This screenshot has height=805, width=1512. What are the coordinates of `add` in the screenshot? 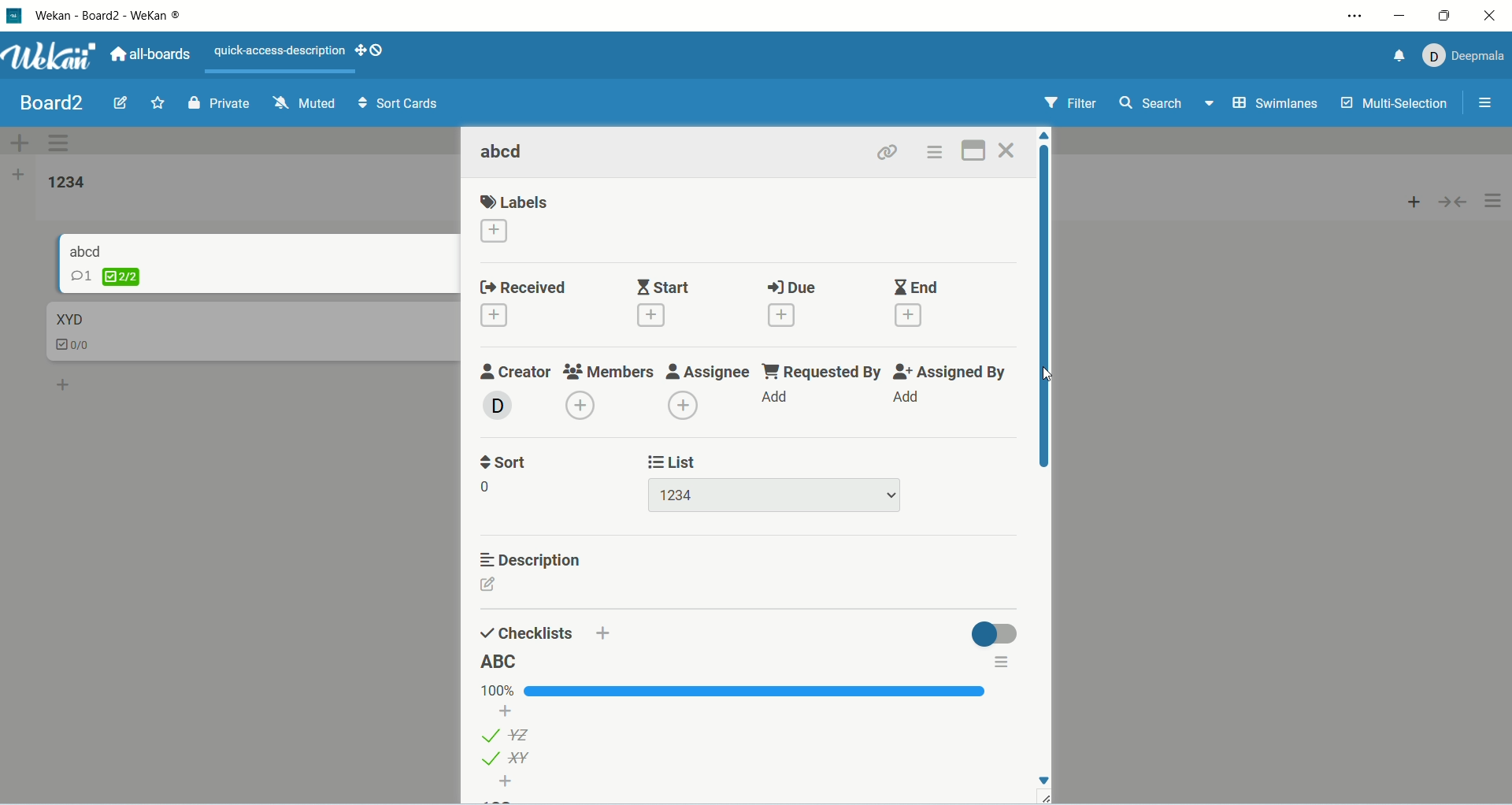 It's located at (580, 405).